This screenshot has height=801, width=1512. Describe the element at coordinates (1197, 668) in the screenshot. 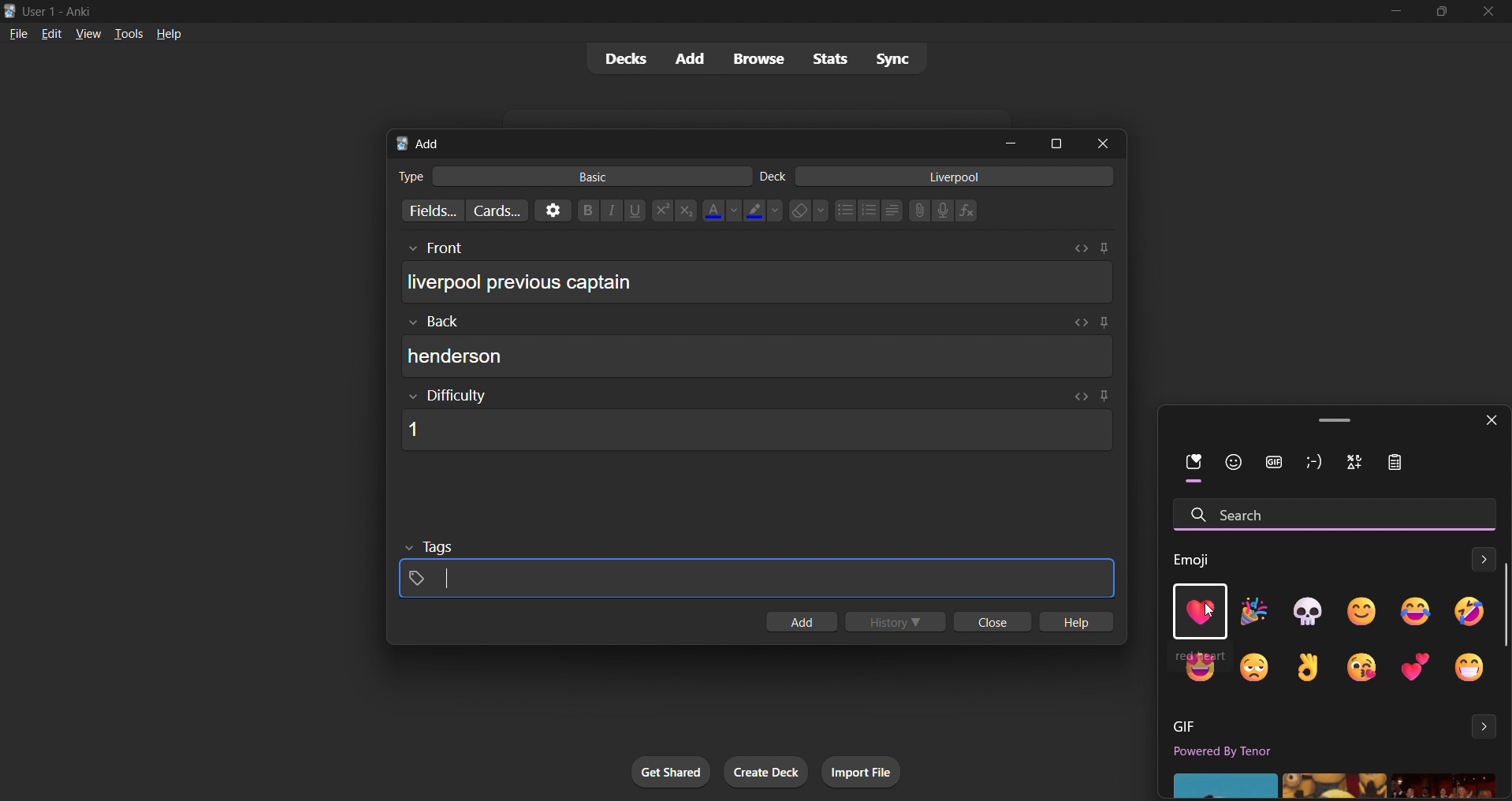

I see `emoji` at that location.